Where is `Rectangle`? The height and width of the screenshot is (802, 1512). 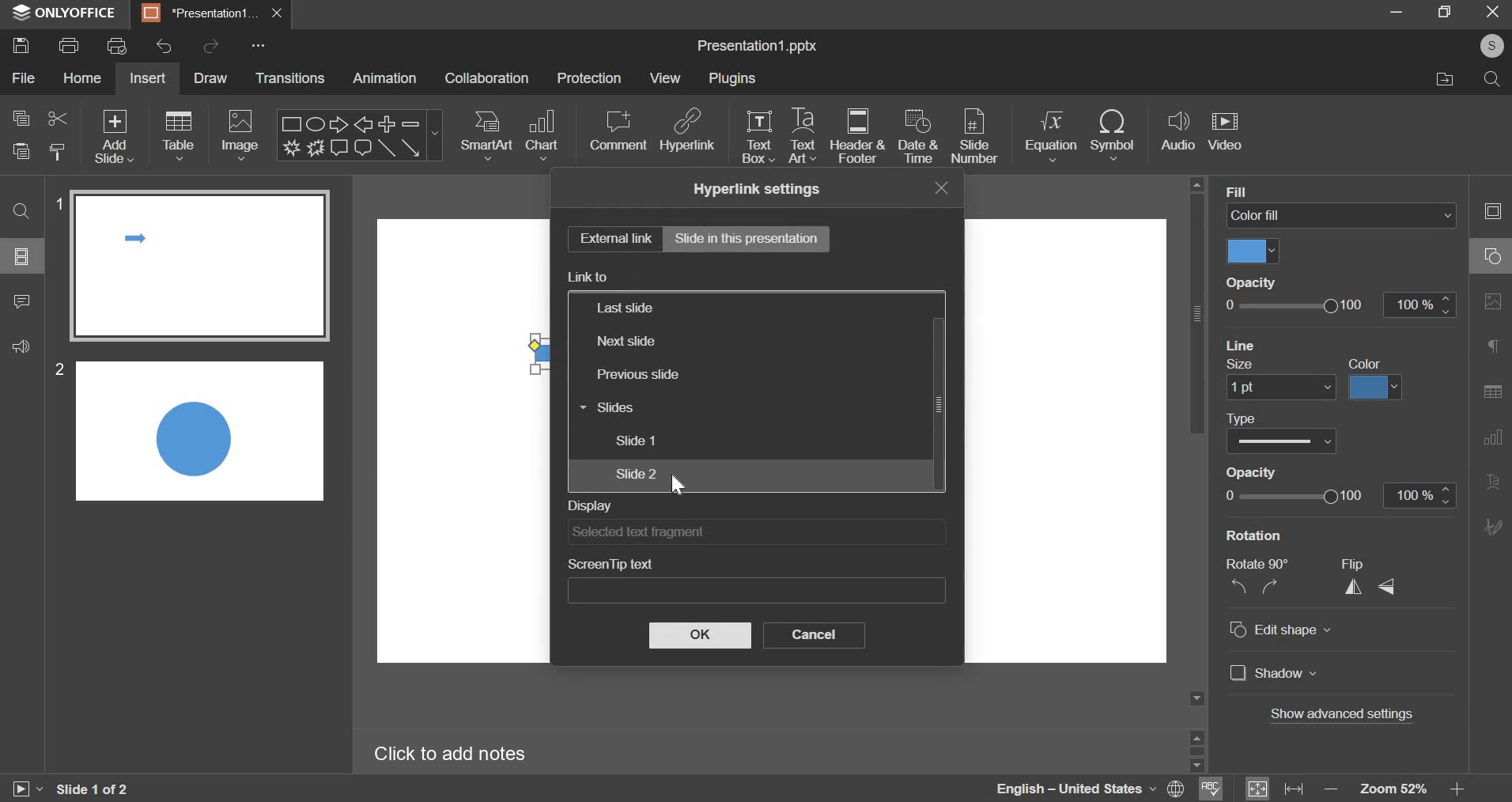
Rectangle is located at coordinates (291, 123).